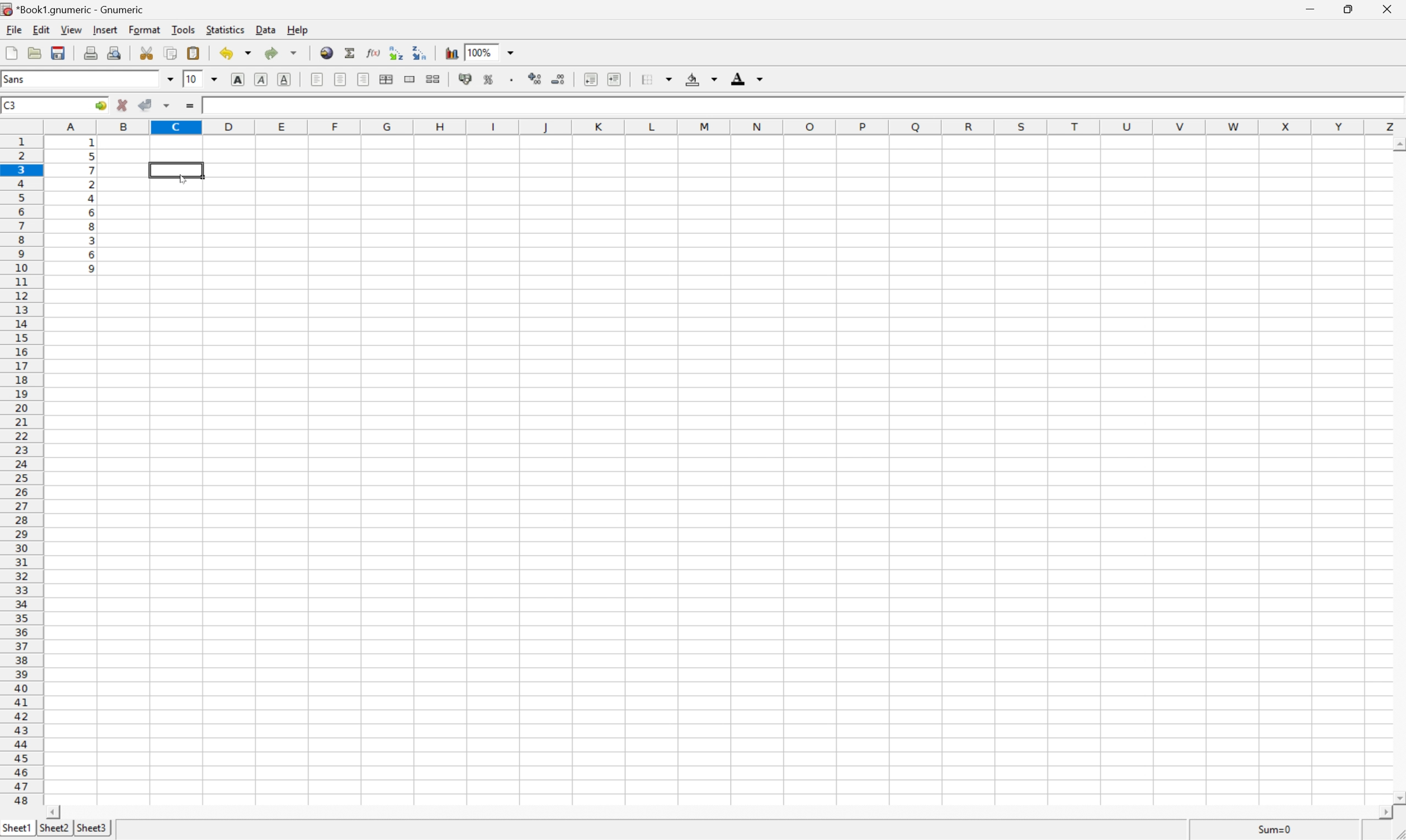  Describe the element at coordinates (1275, 831) in the screenshot. I see `Sum=1` at that location.